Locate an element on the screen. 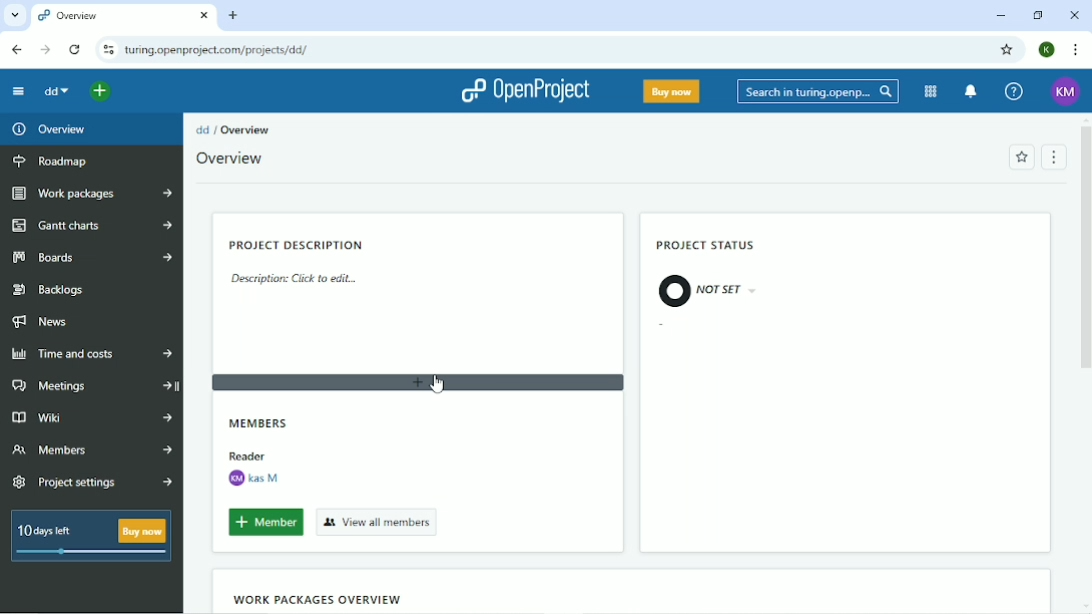 Image resolution: width=1092 pixels, height=614 pixels. To notification center is located at coordinates (971, 90).